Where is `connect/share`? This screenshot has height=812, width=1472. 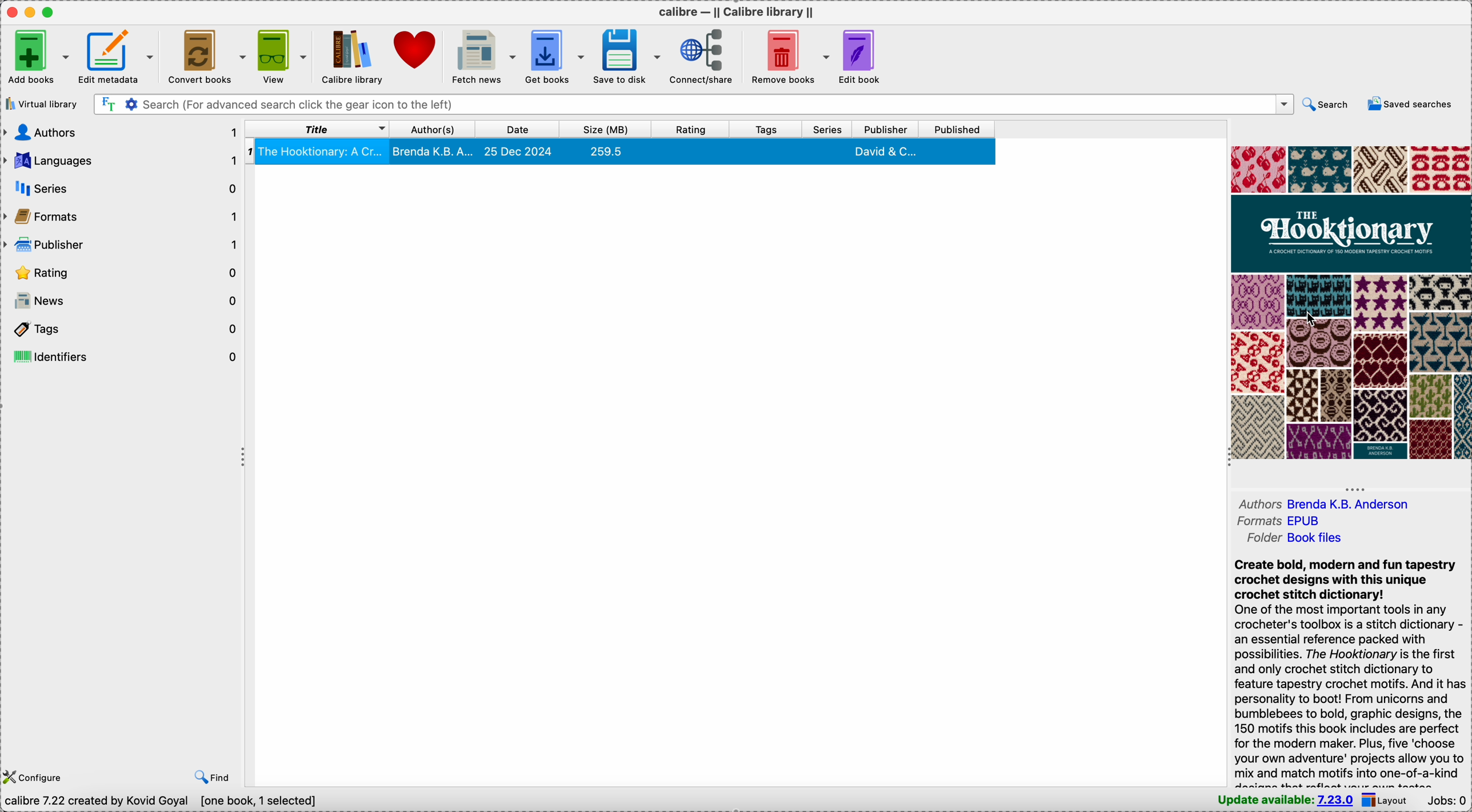 connect/share is located at coordinates (705, 54).